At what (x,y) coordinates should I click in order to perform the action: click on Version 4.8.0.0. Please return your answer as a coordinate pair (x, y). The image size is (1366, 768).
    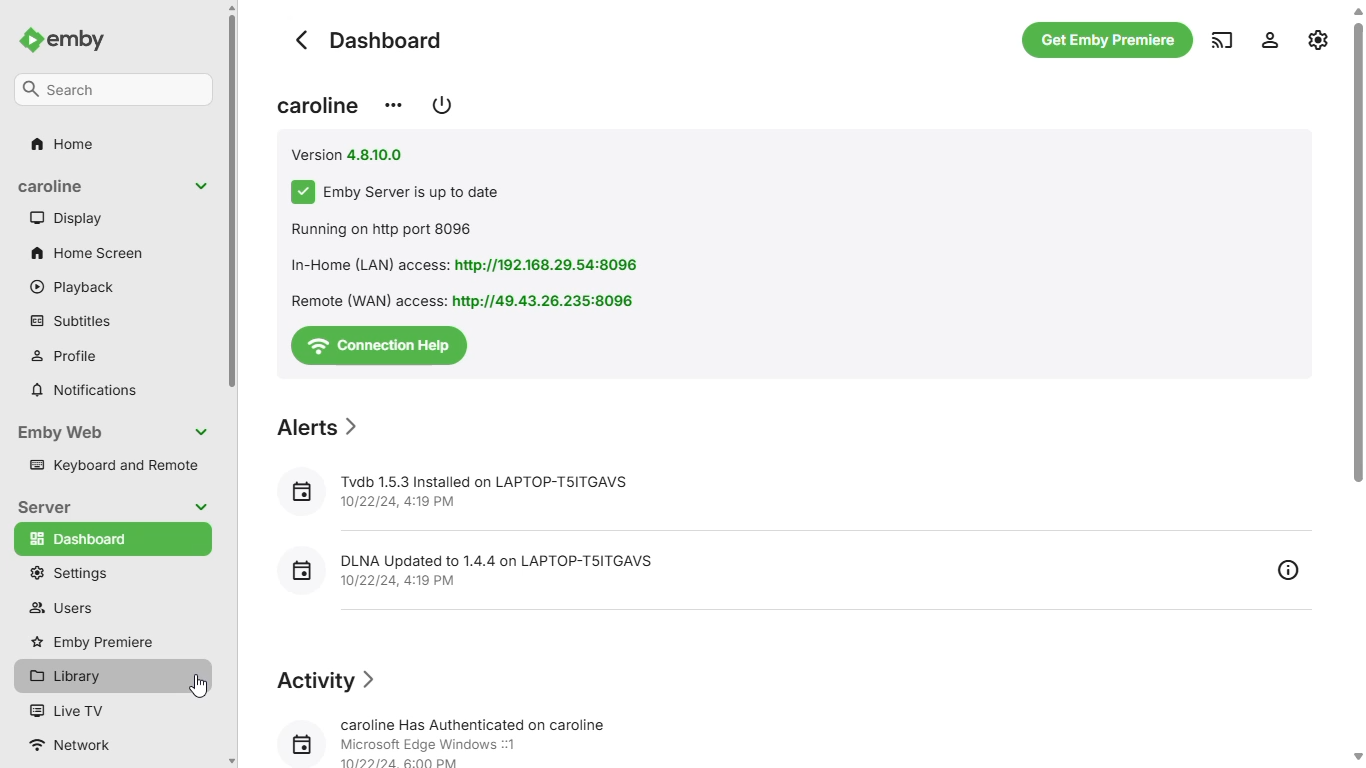
    Looking at the image, I should click on (349, 154).